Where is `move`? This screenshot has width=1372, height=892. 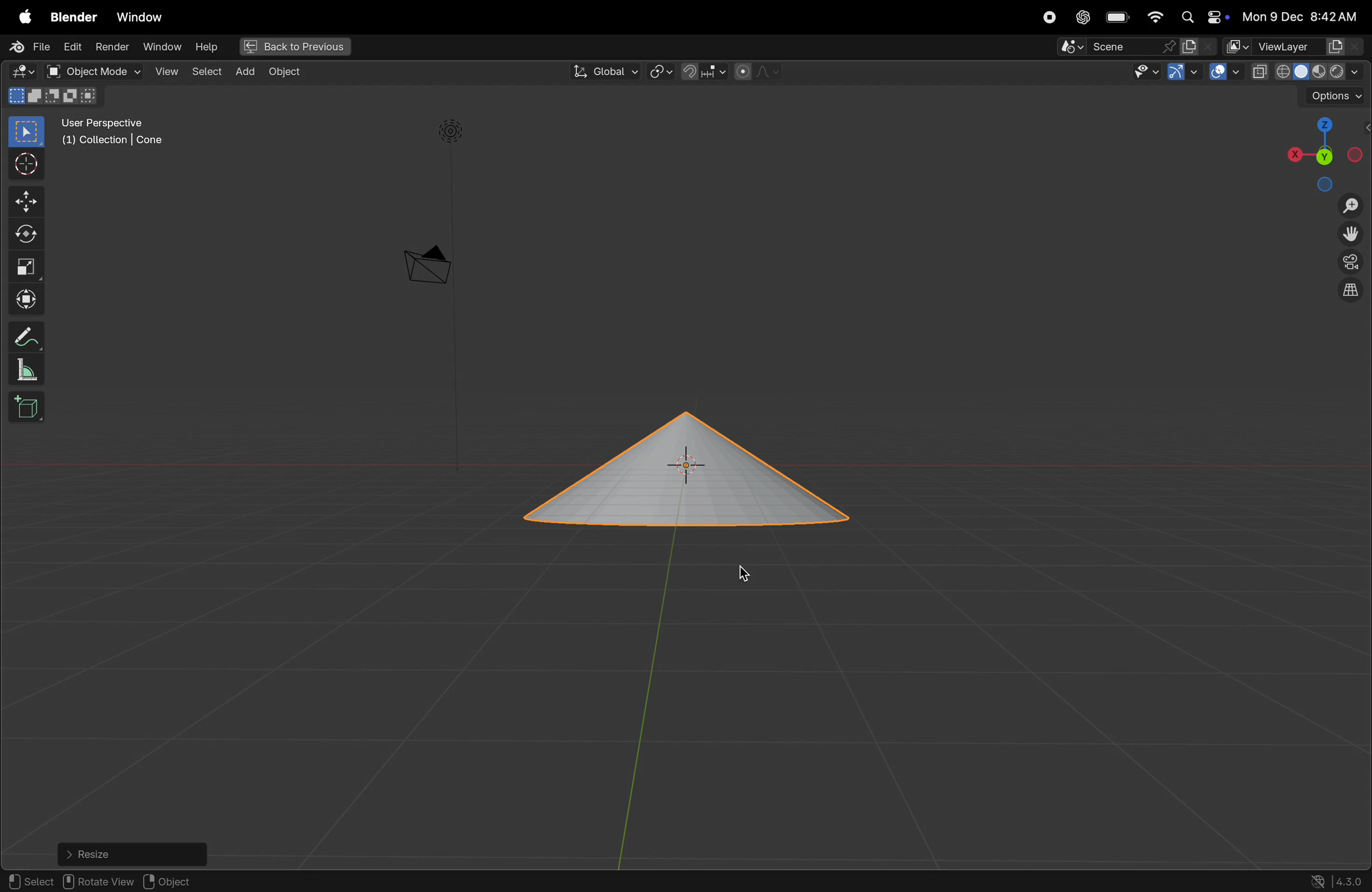 move is located at coordinates (739, 881).